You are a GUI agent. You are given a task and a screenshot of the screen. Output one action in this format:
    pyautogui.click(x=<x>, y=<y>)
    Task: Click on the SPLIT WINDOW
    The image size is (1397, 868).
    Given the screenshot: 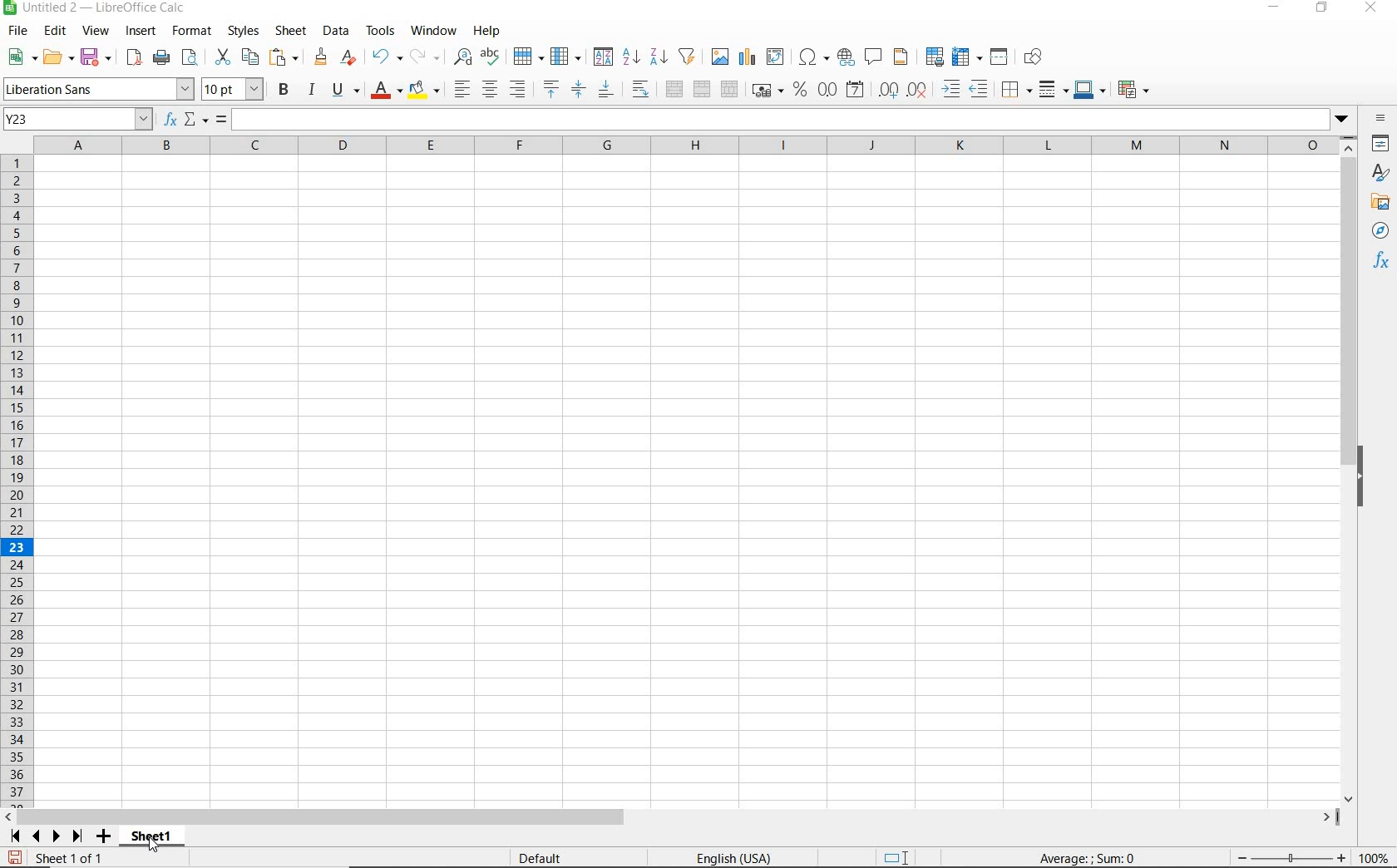 What is the action you would take?
    pyautogui.click(x=1001, y=56)
    